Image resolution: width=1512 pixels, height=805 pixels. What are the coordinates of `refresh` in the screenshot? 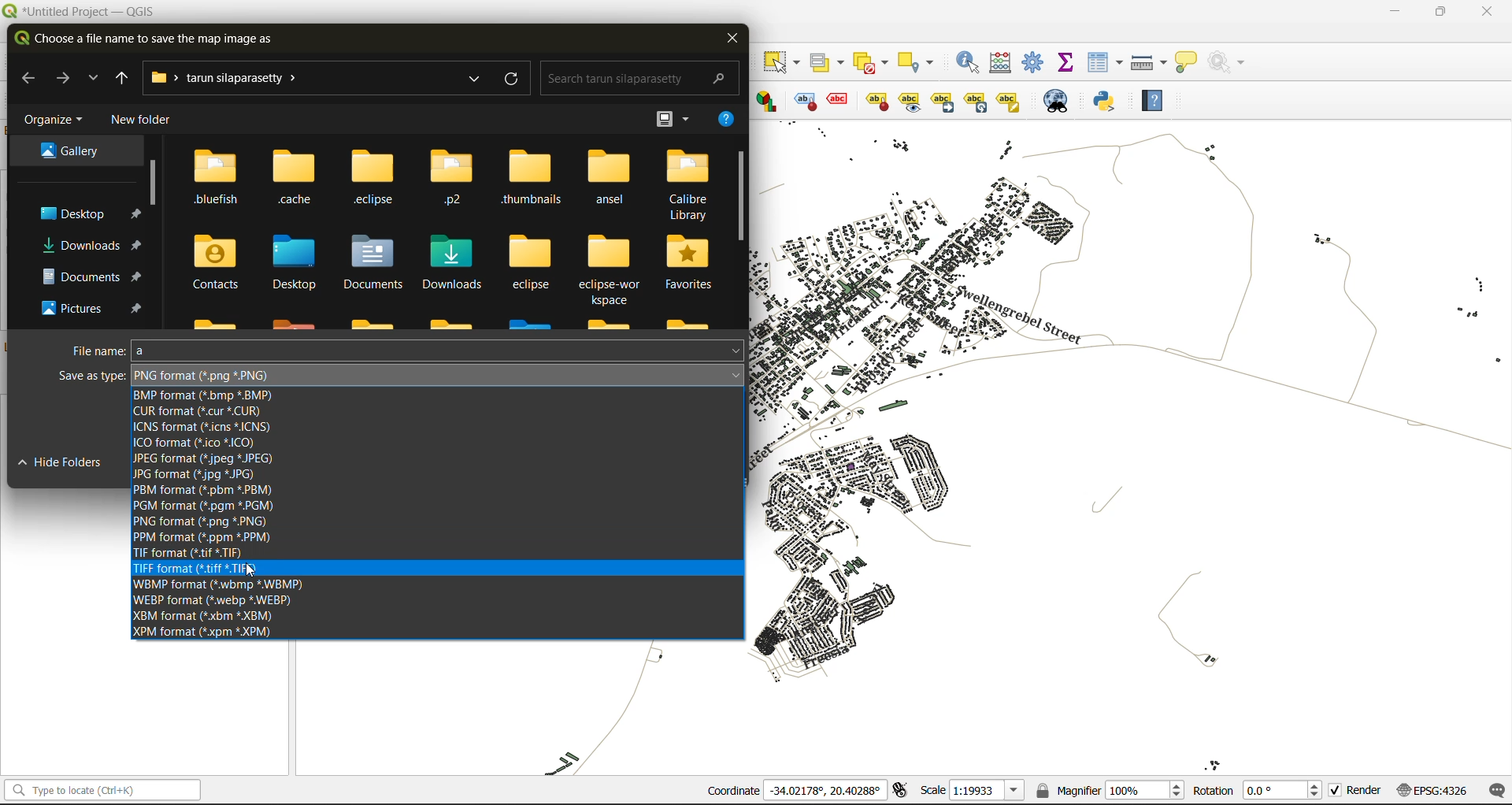 It's located at (513, 81).